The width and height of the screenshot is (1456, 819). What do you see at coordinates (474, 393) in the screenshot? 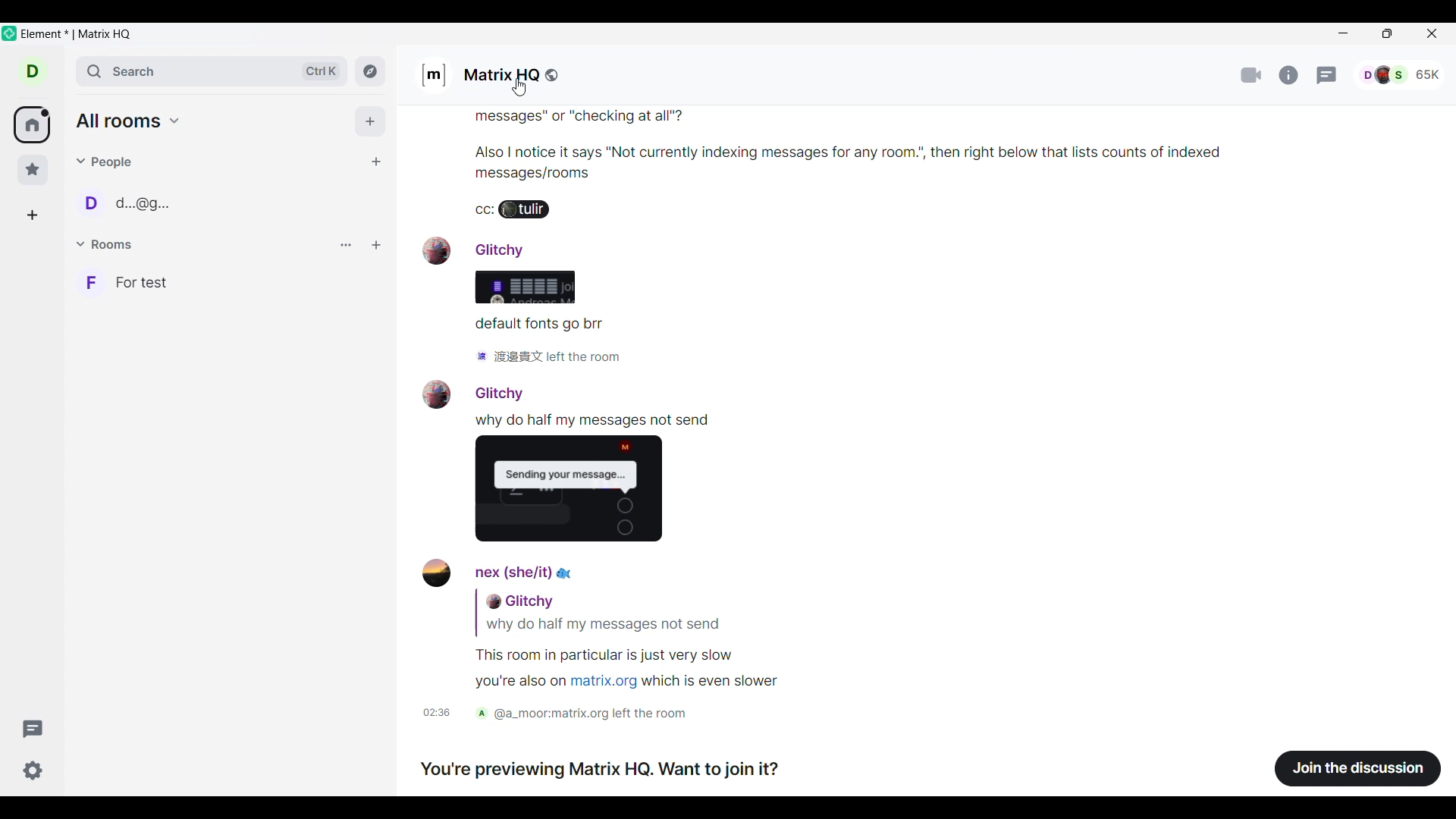
I see `Glitchy` at bounding box center [474, 393].